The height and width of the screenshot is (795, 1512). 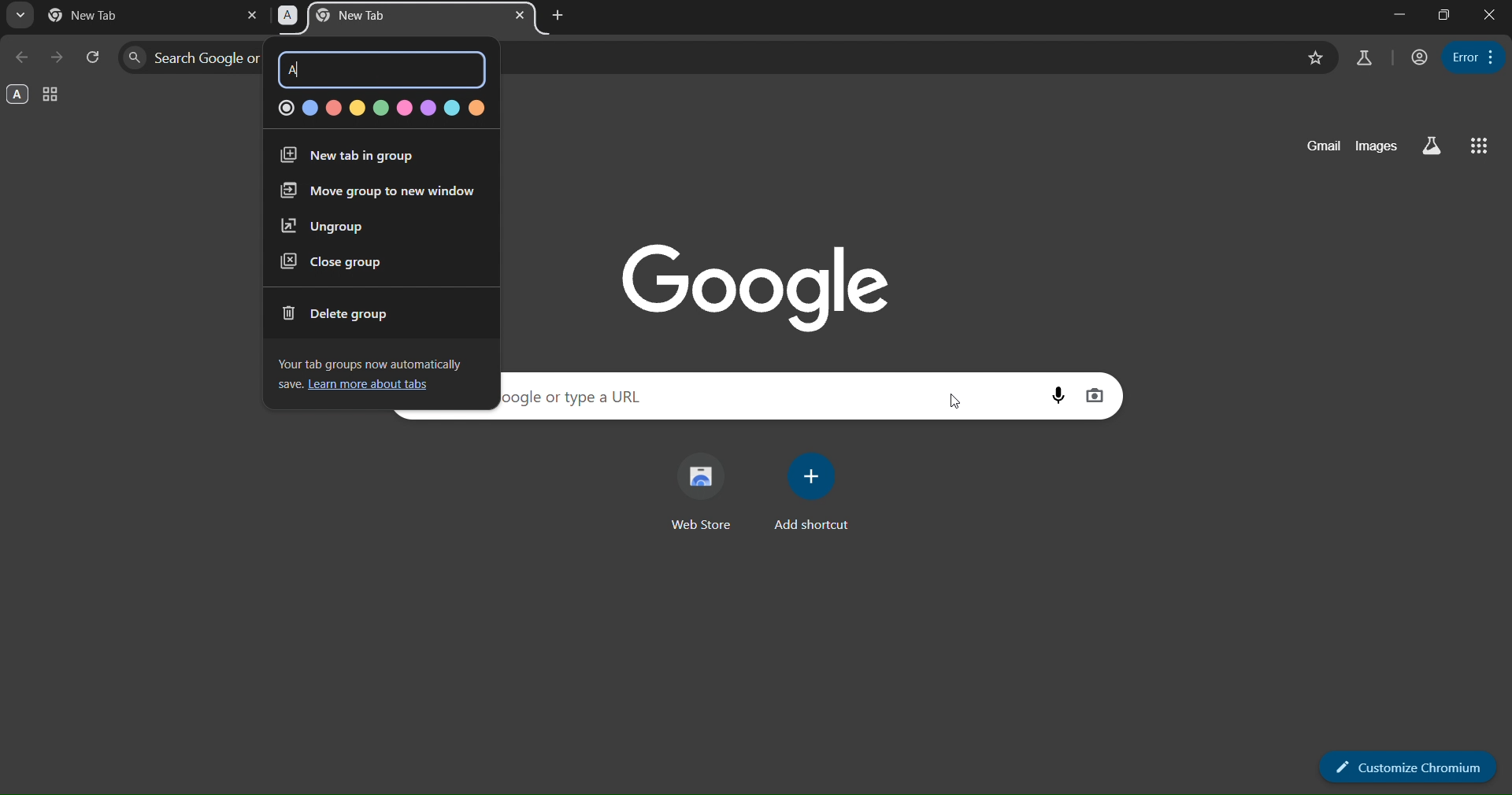 What do you see at coordinates (1096, 397) in the screenshot?
I see `image search` at bounding box center [1096, 397].